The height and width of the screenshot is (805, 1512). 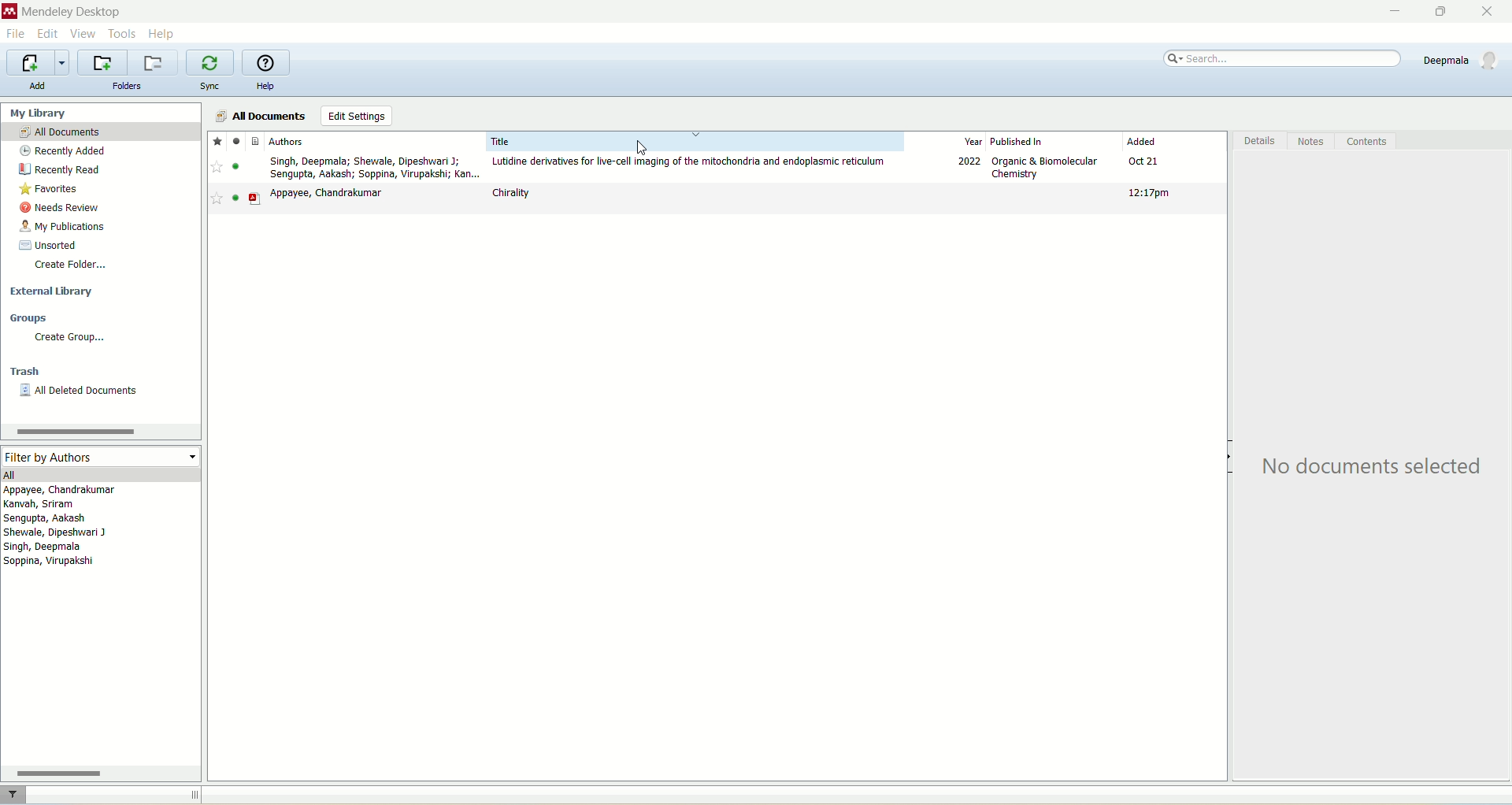 I want to click on authors, so click(x=65, y=529).